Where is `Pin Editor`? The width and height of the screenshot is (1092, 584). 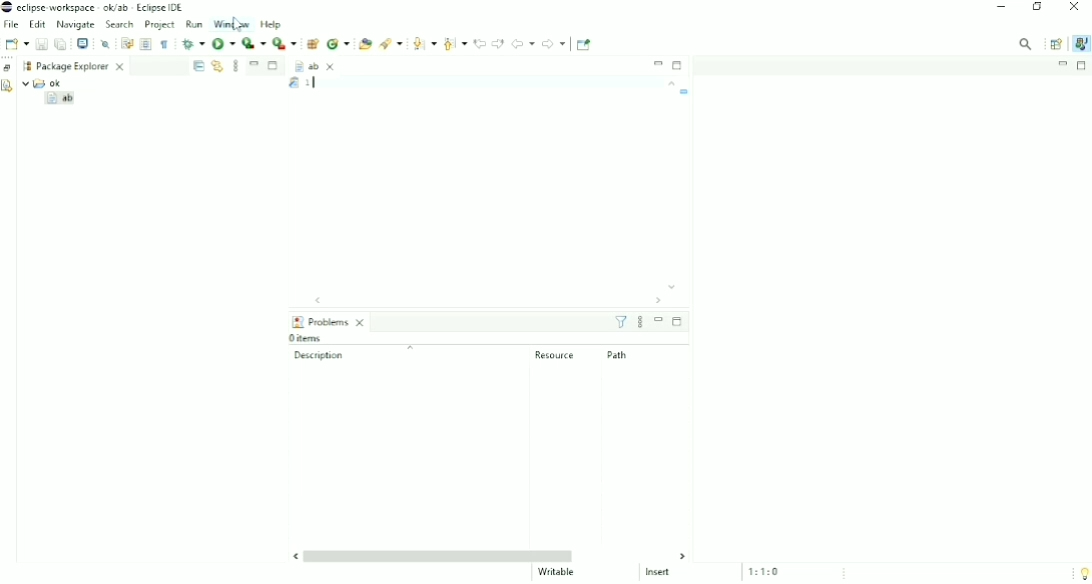 Pin Editor is located at coordinates (585, 44).